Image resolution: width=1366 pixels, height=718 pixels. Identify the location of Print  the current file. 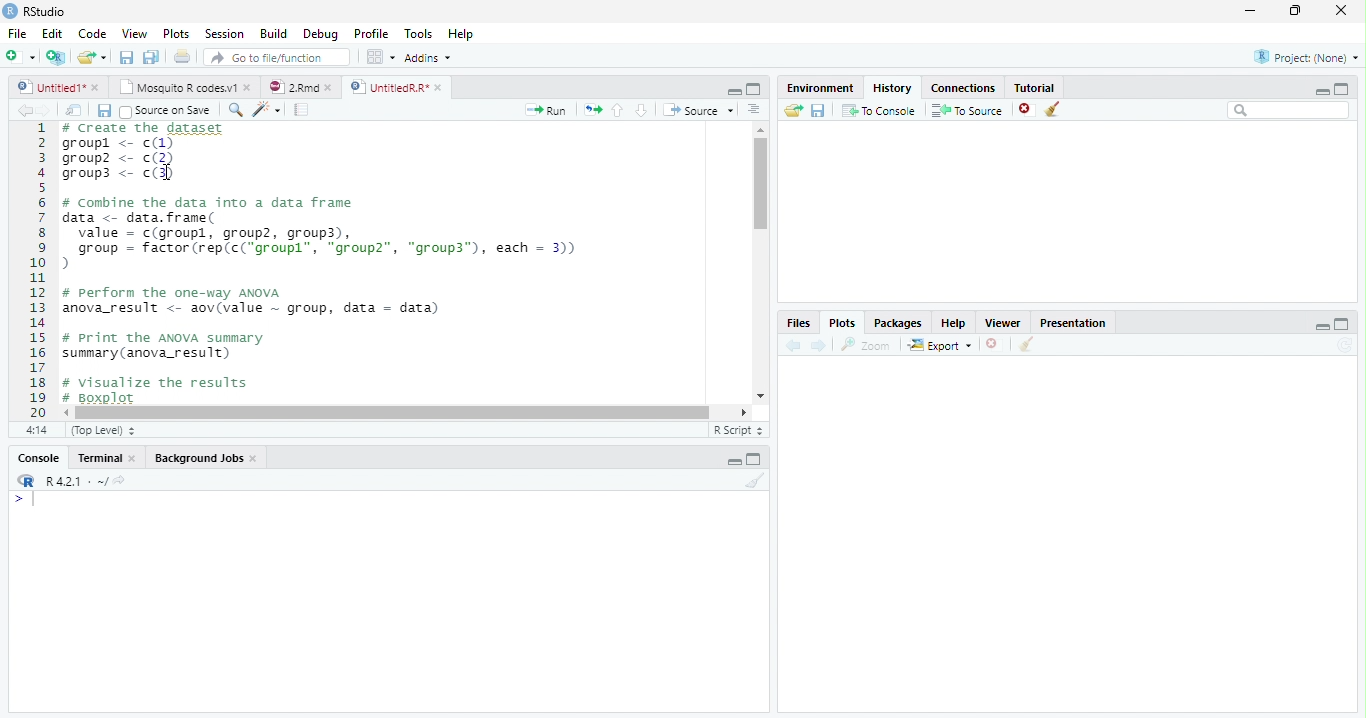
(183, 57).